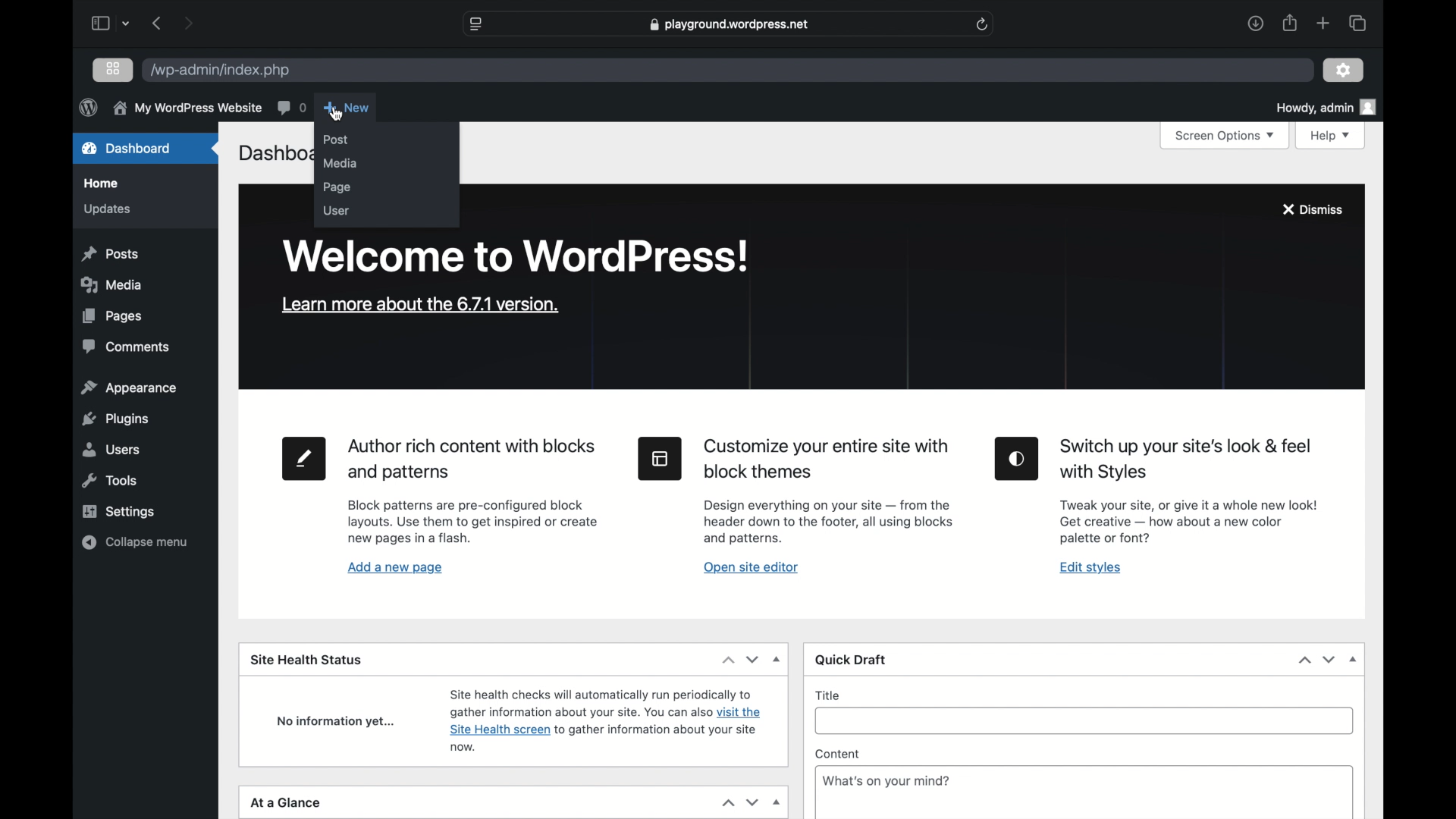  What do you see at coordinates (1187, 460) in the screenshot?
I see `headline` at bounding box center [1187, 460].